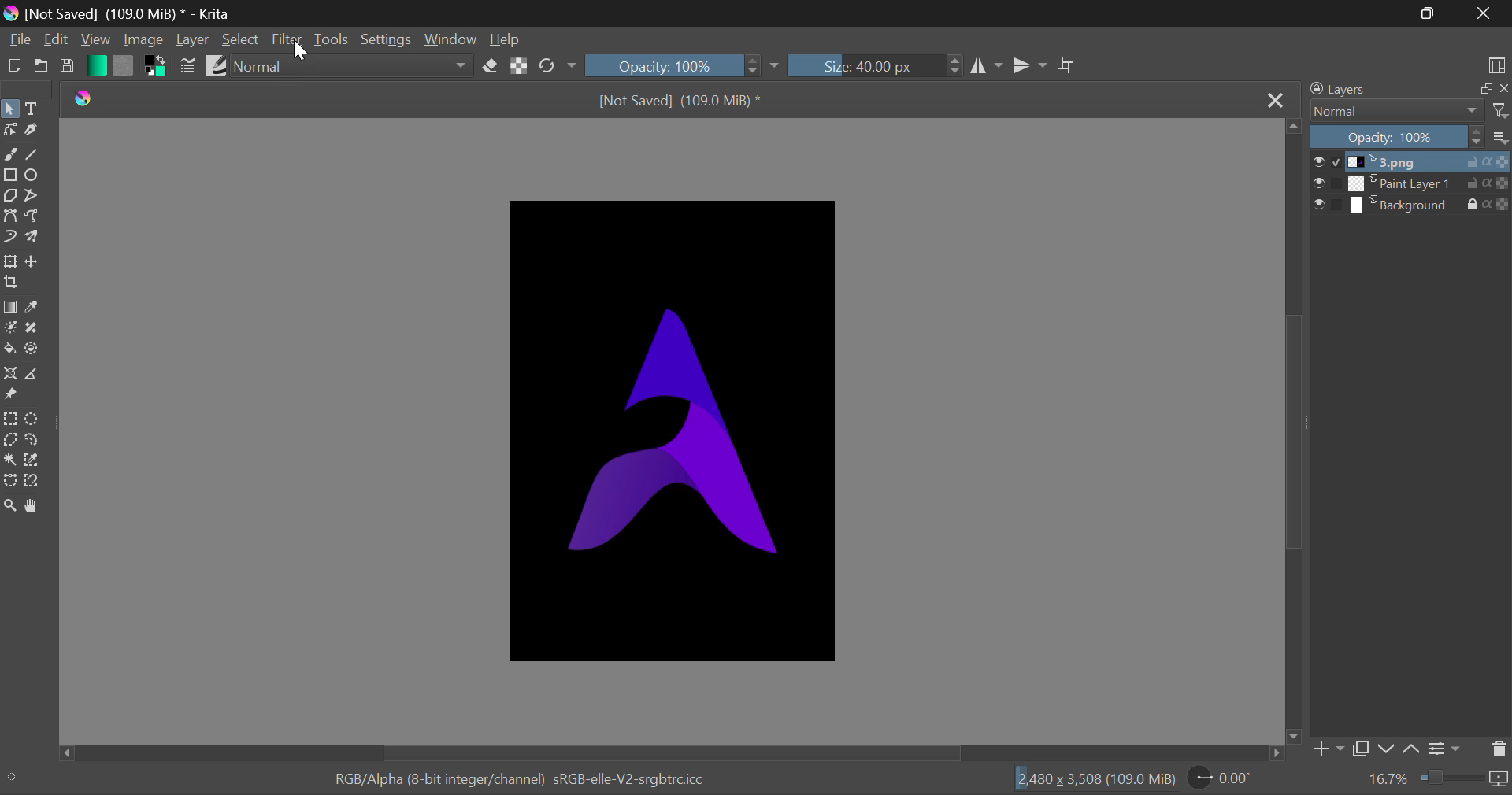  Describe the element at coordinates (507, 39) in the screenshot. I see `Help` at that location.